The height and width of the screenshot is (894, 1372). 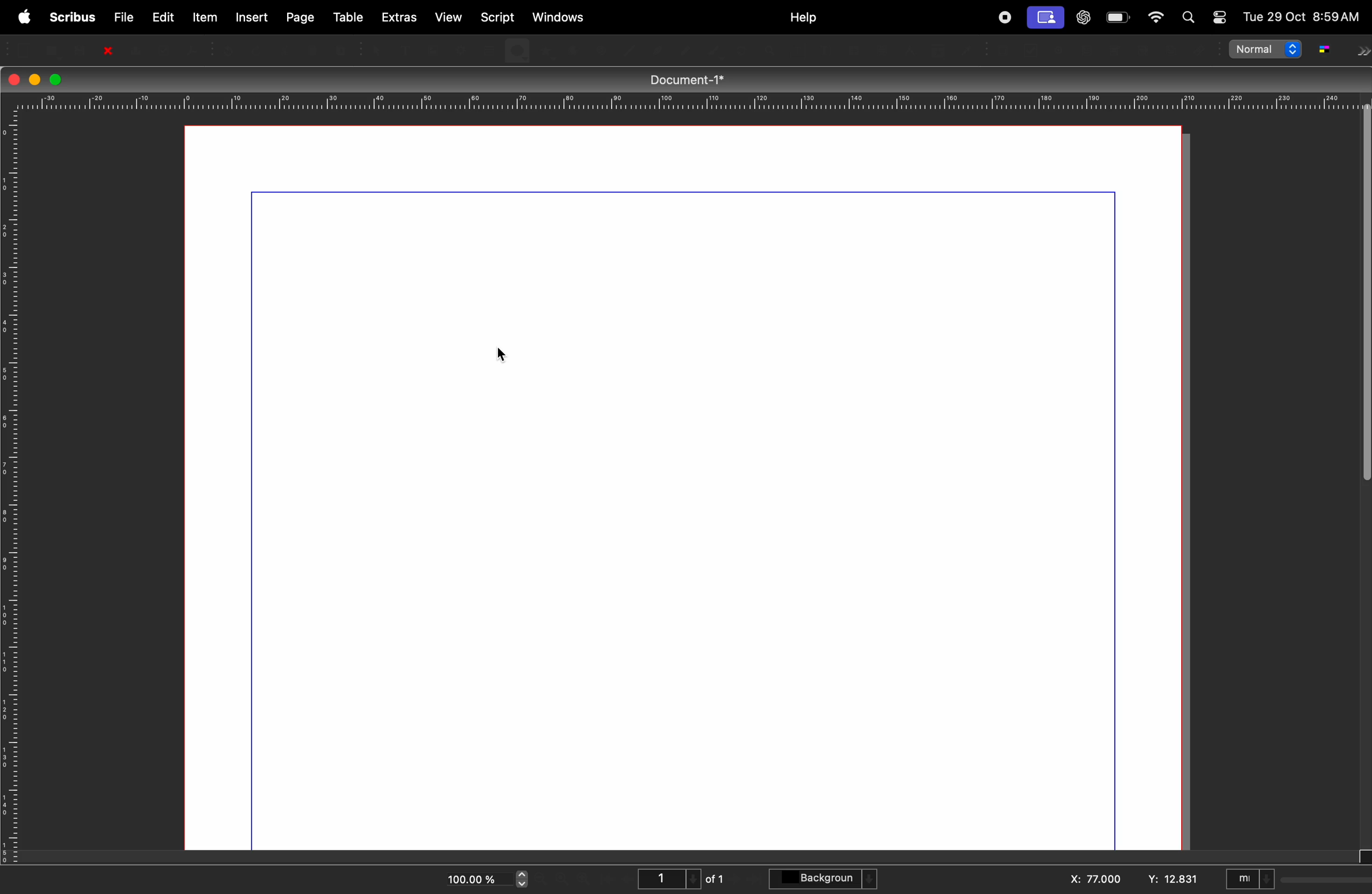 What do you see at coordinates (1047, 18) in the screenshot?
I see `cast` at bounding box center [1047, 18].